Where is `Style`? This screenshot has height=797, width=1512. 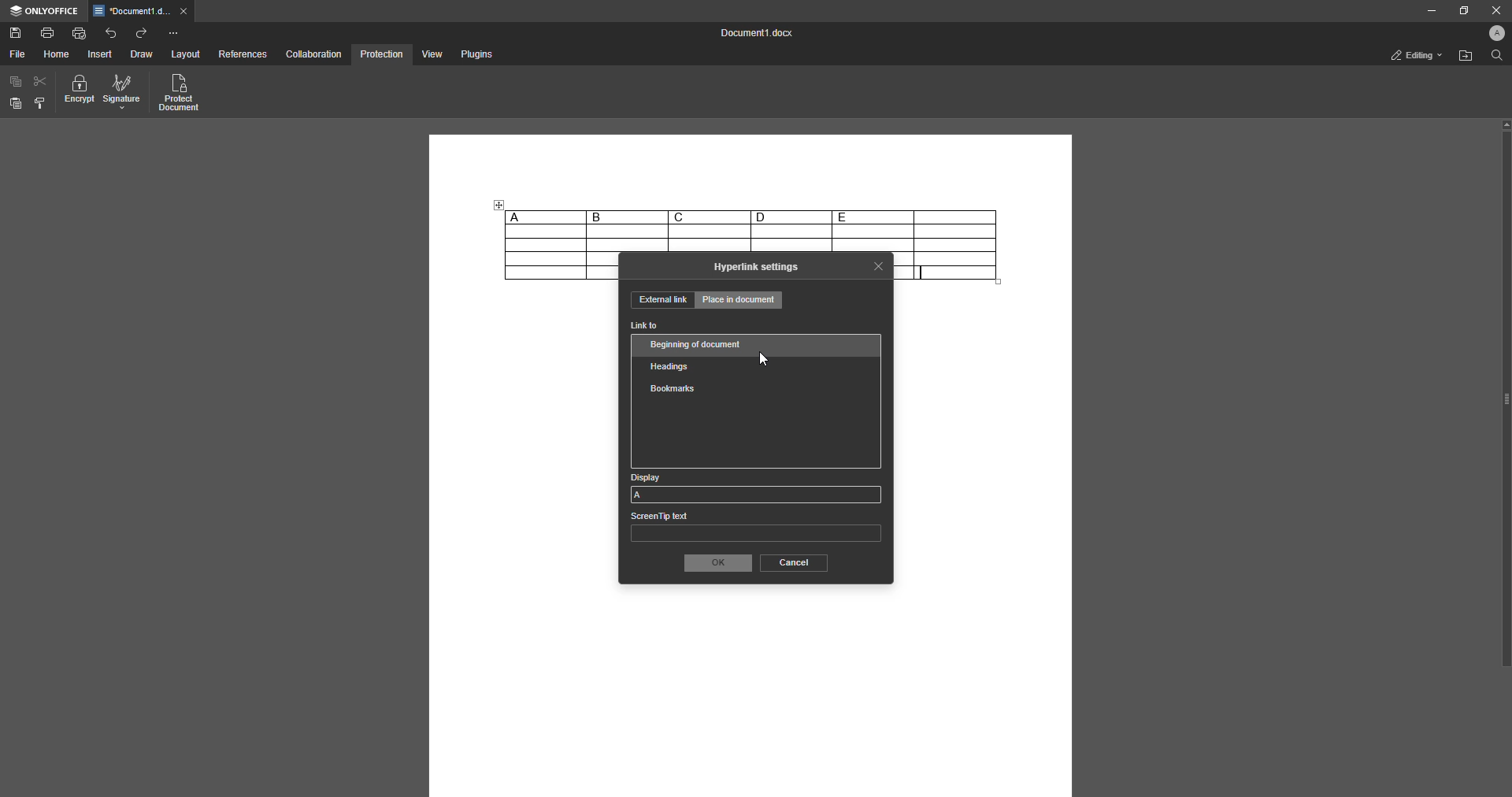 Style is located at coordinates (41, 103).